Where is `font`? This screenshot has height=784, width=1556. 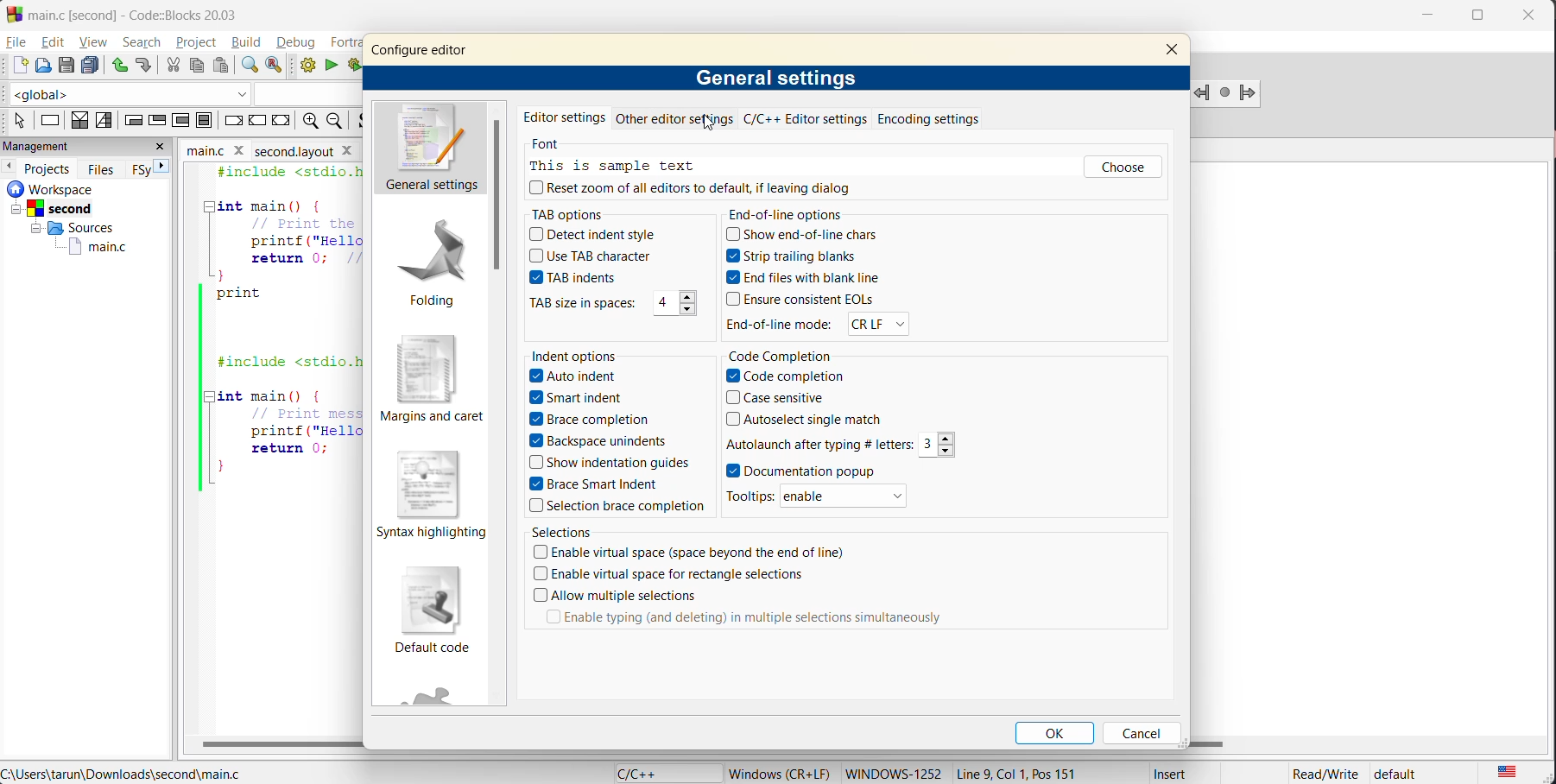
font is located at coordinates (555, 142).